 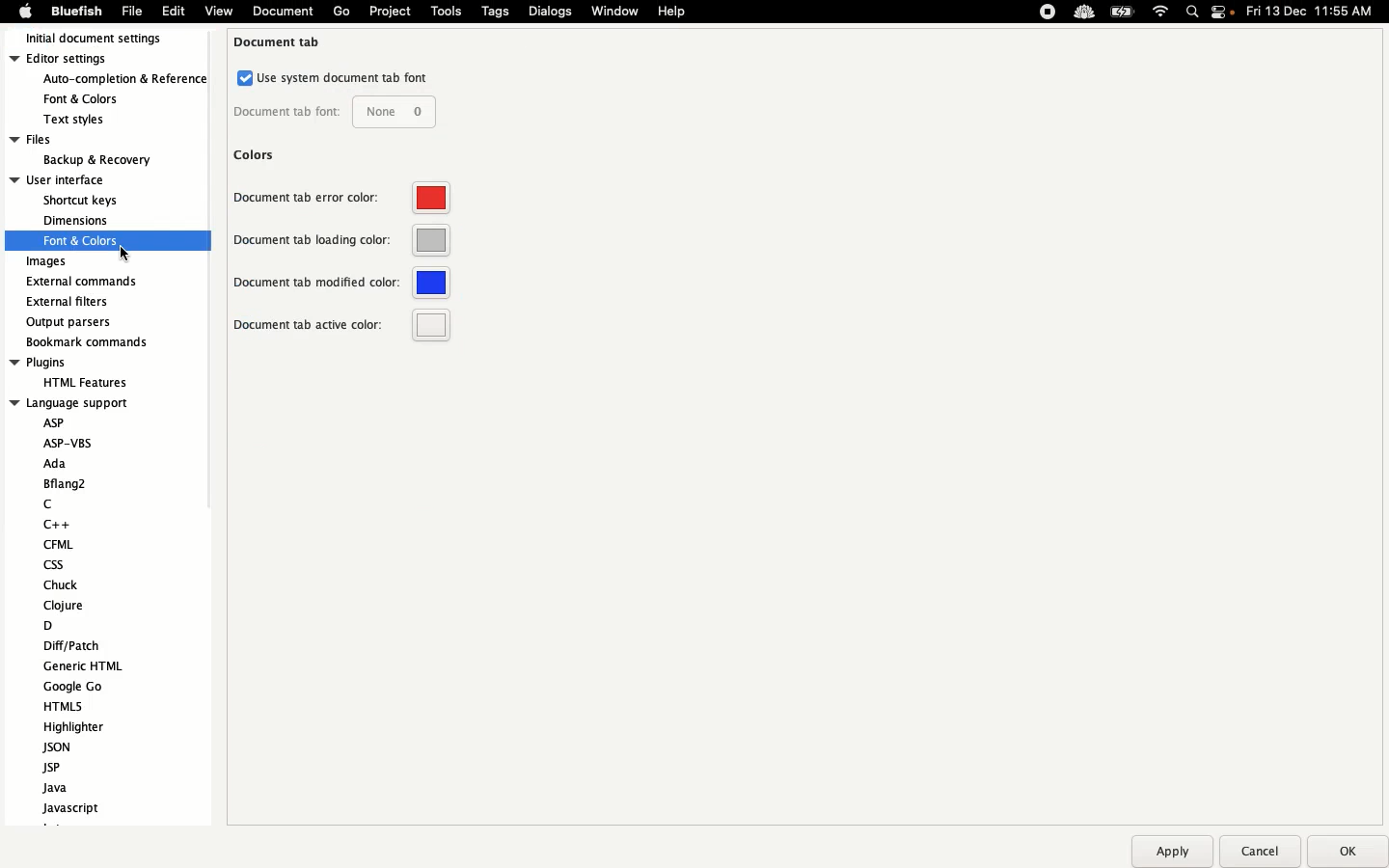 What do you see at coordinates (550, 11) in the screenshot?
I see `Dialogs` at bounding box center [550, 11].